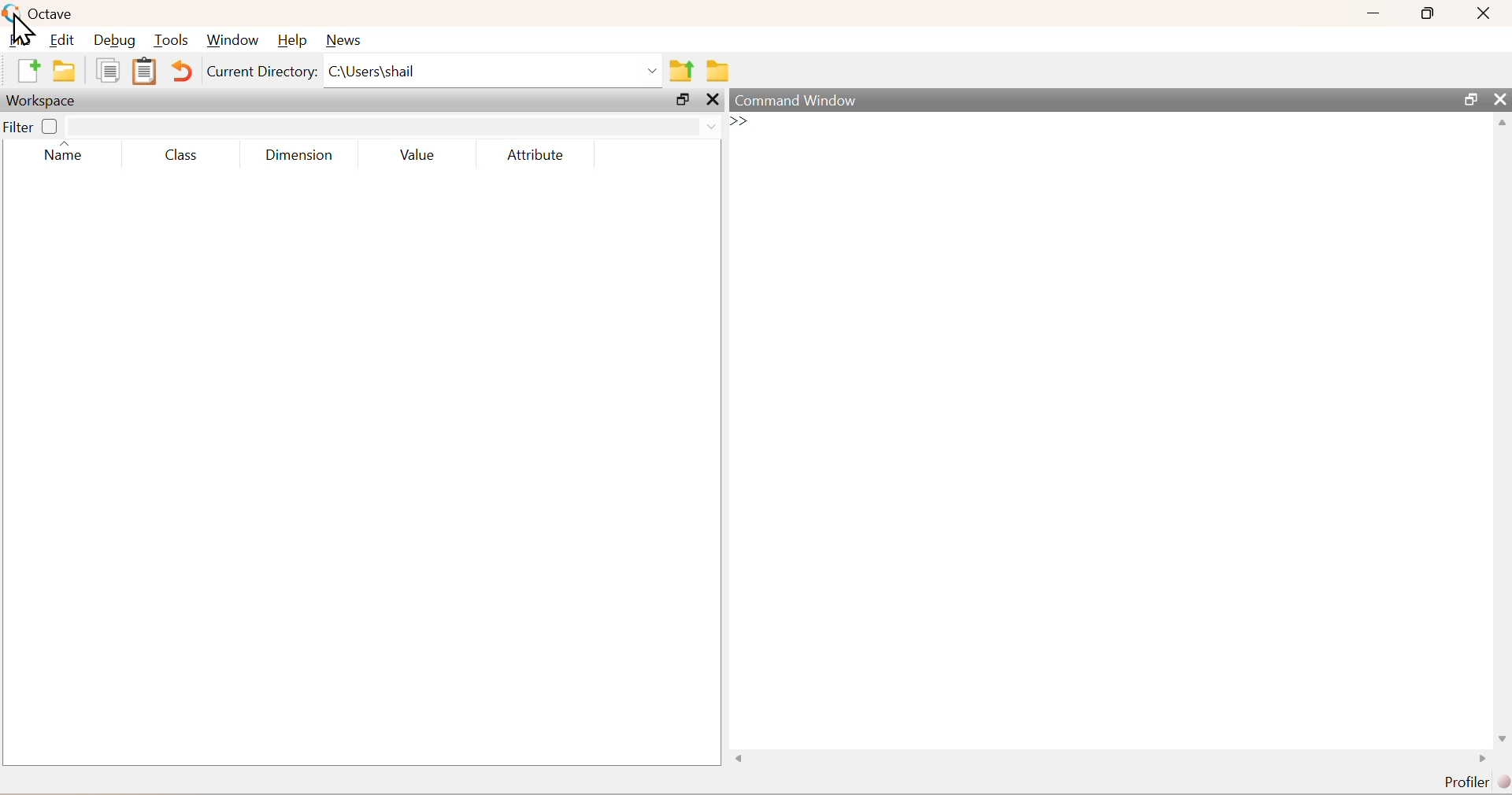 This screenshot has height=795, width=1512. Describe the element at coordinates (31, 126) in the screenshot. I see `Filter` at that location.